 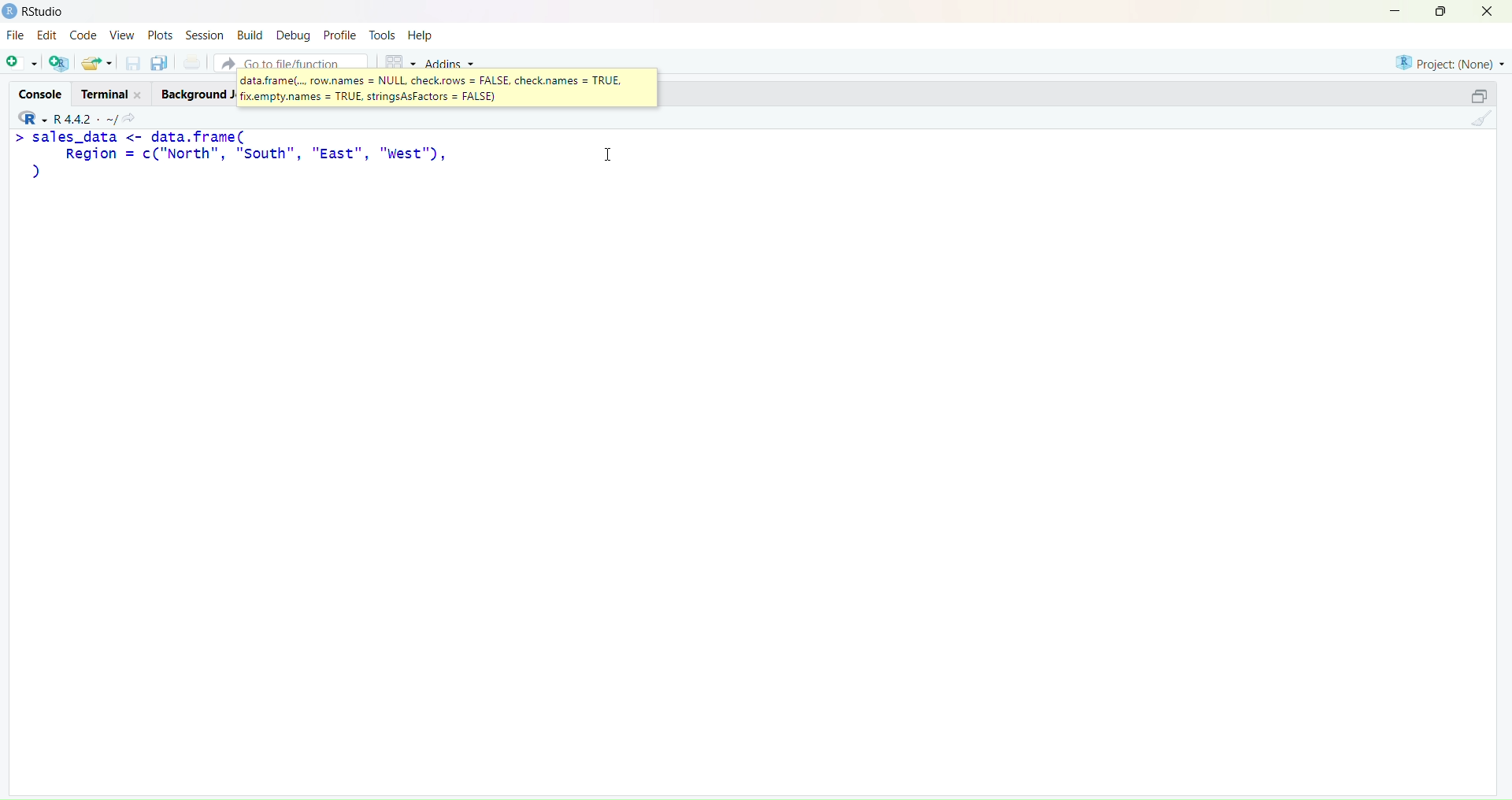 I want to click on sales_data <- data.trame(
Region = c("North", "South", "East", "west"),
bY, so click(x=244, y=155).